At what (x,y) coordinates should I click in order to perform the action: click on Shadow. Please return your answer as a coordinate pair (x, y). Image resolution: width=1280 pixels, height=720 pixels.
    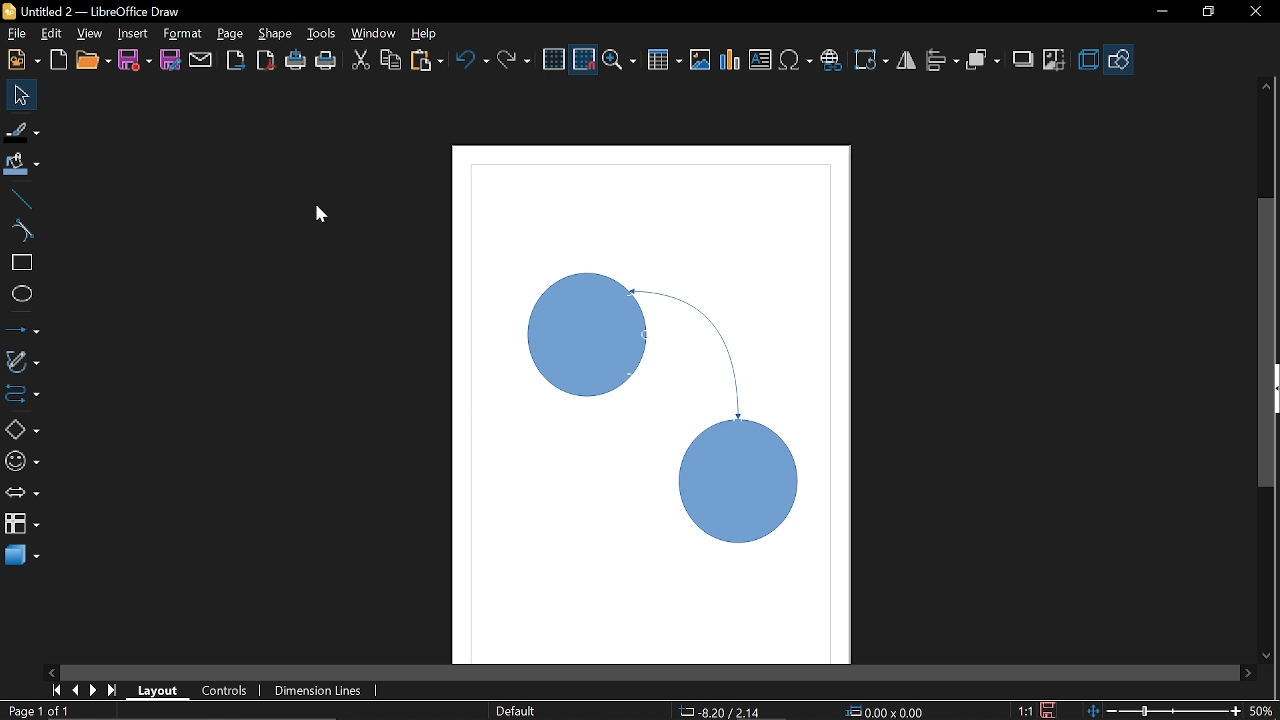
    Looking at the image, I should click on (1022, 60).